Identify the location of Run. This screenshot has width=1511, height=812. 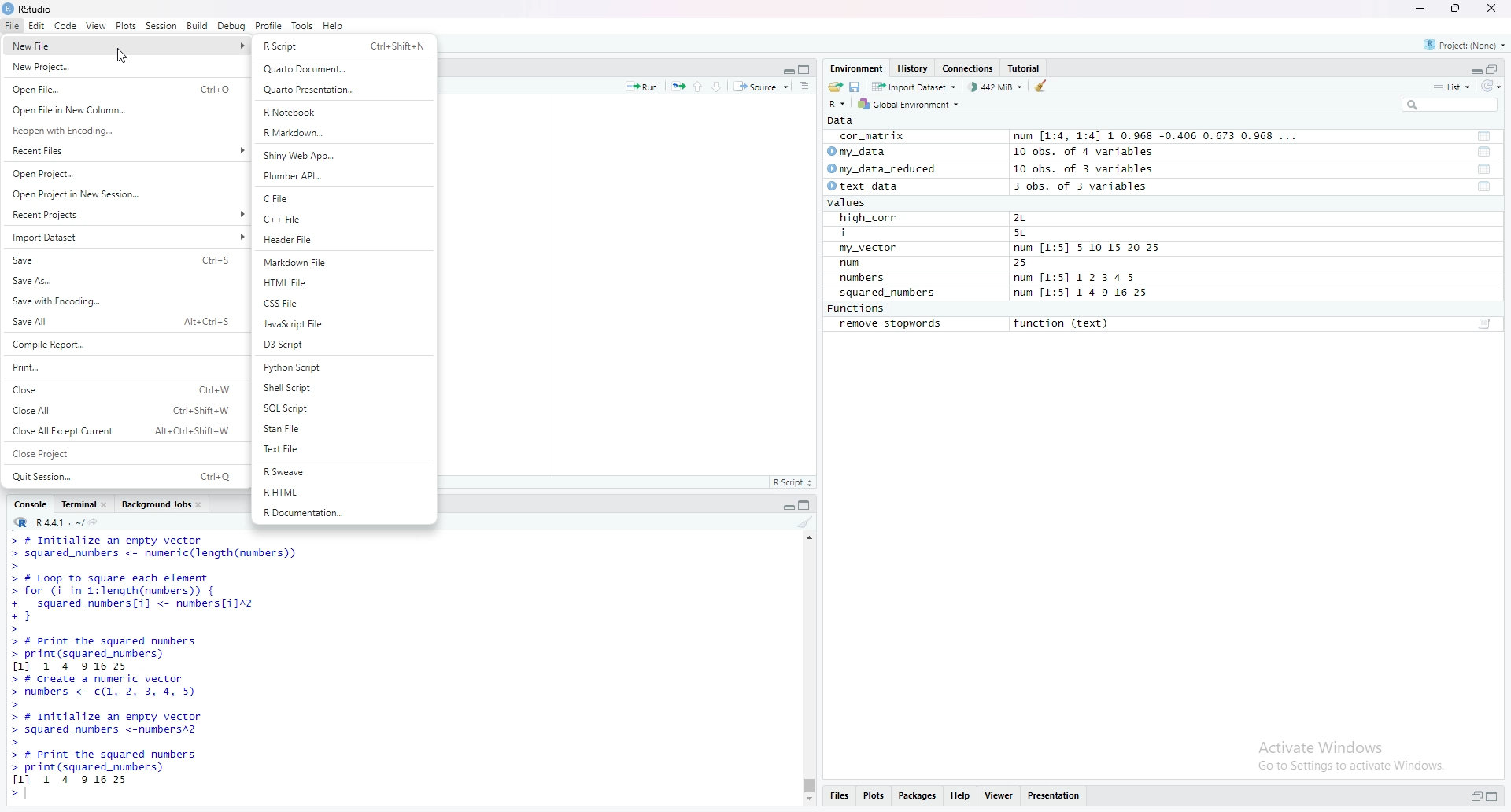
(642, 87).